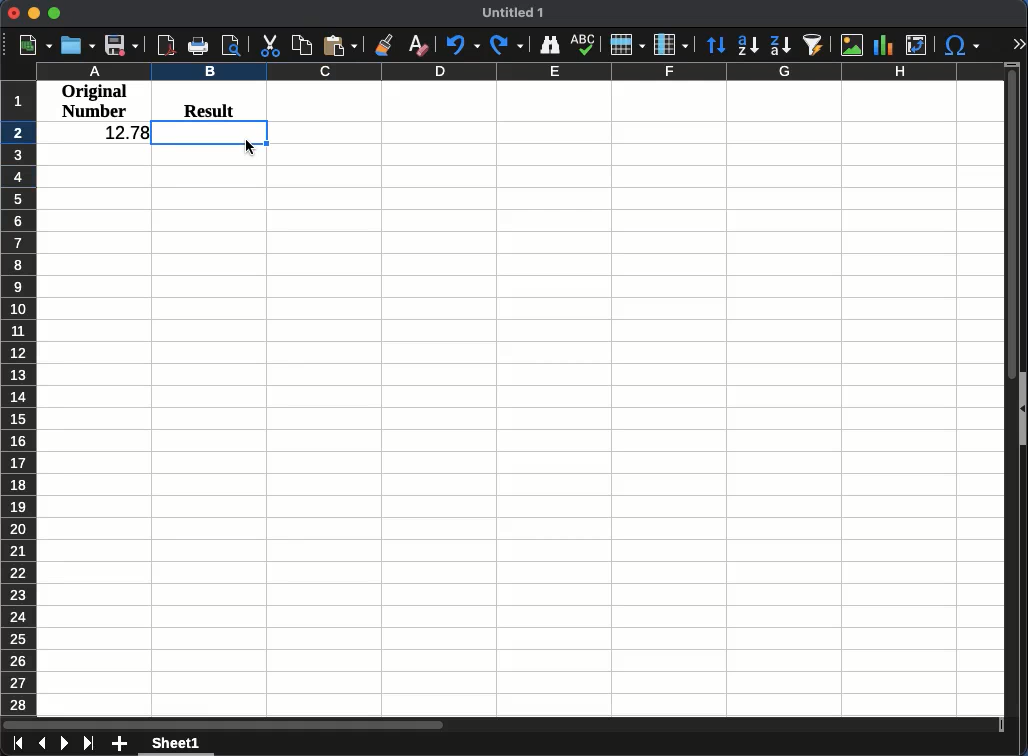 The width and height of the screenshot is (1028, 756). I want to click on clear formatting, so click(417, 47).